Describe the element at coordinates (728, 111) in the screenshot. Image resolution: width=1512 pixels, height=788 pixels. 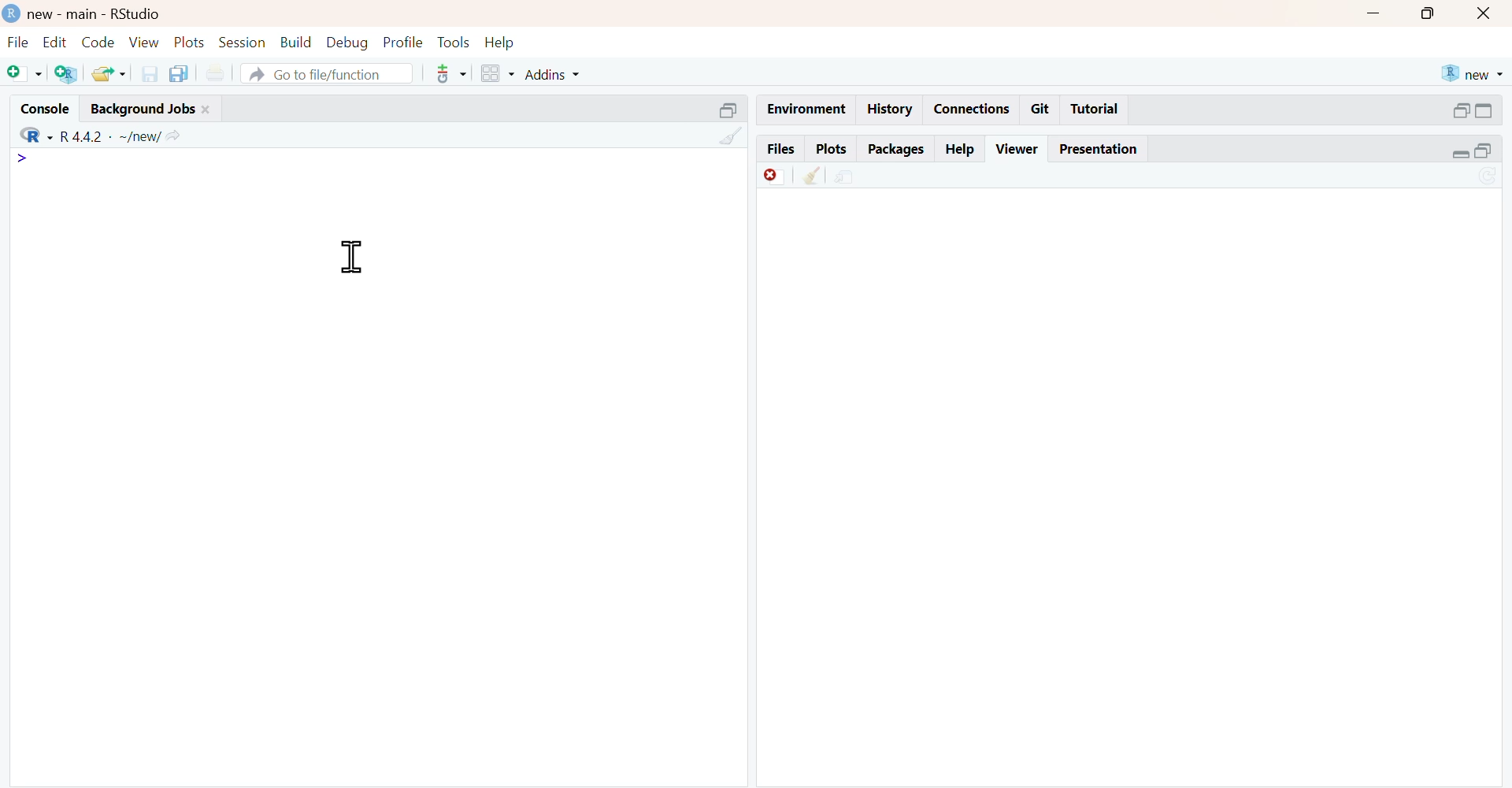
I see `open in separate window` at that location.